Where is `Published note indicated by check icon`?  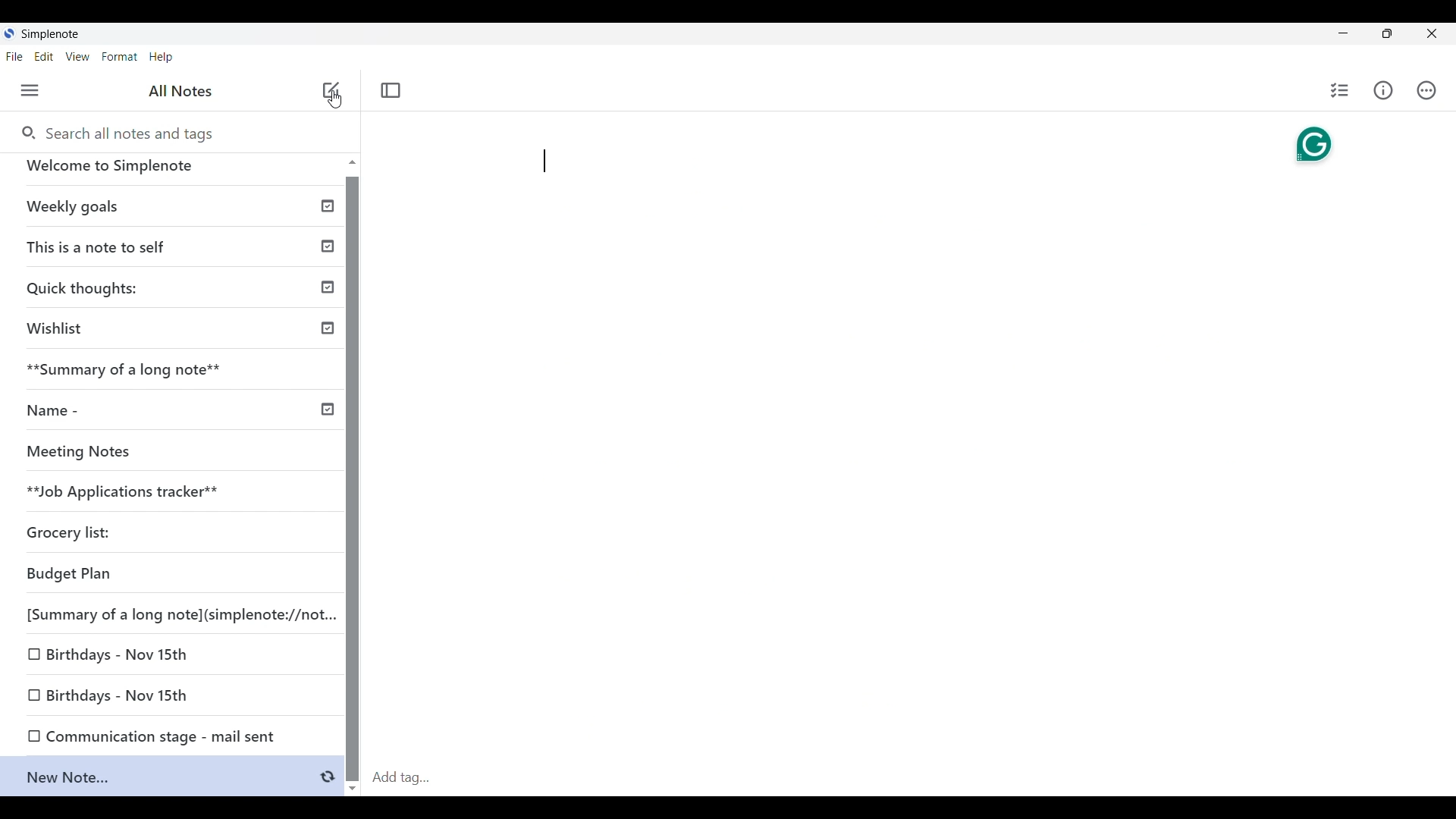
Published note indicated by check icon is located at coordinates (177, 293).